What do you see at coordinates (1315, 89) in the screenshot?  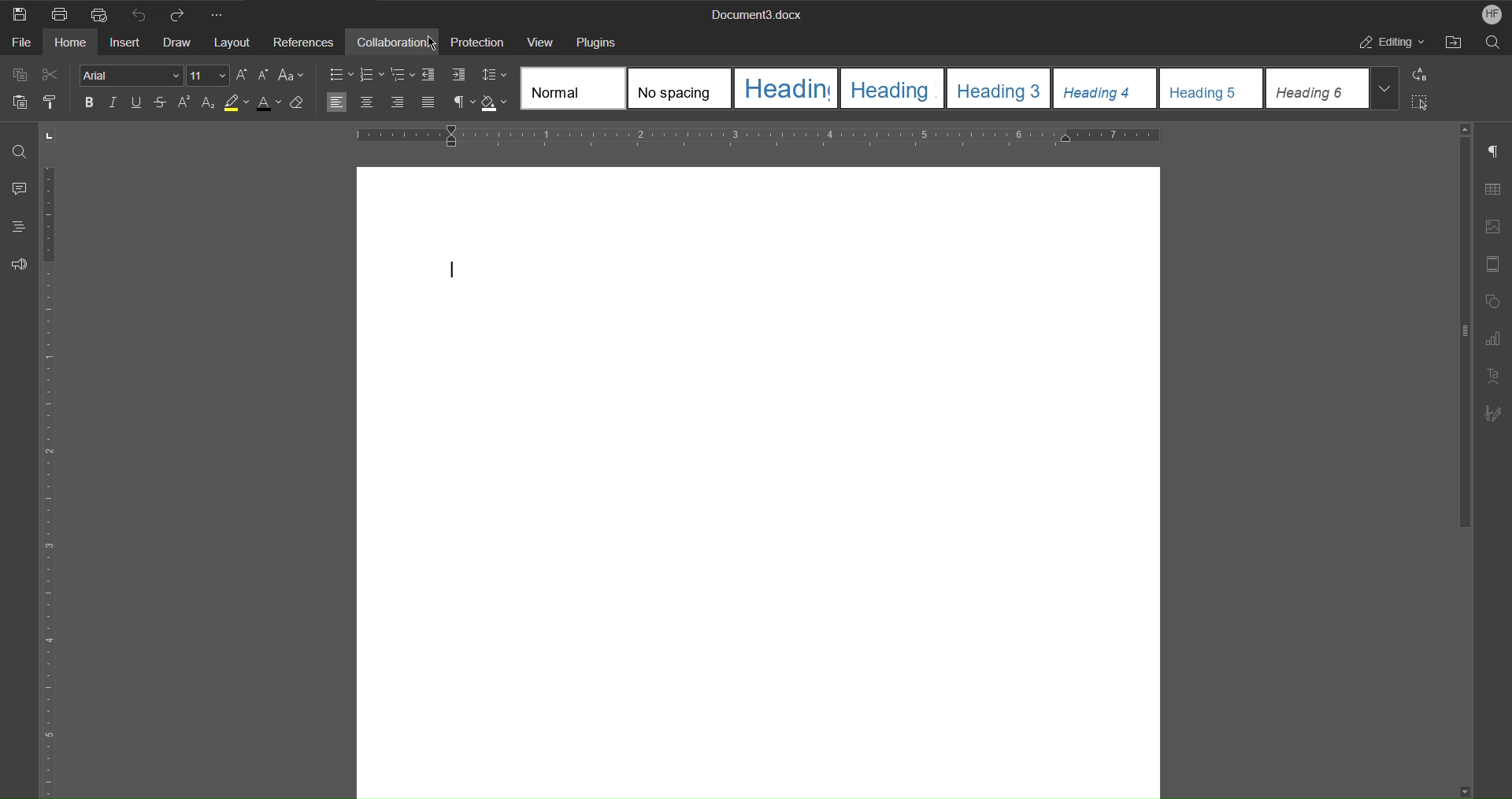 I see `Heading 6` at bounding box center [1315, 89].